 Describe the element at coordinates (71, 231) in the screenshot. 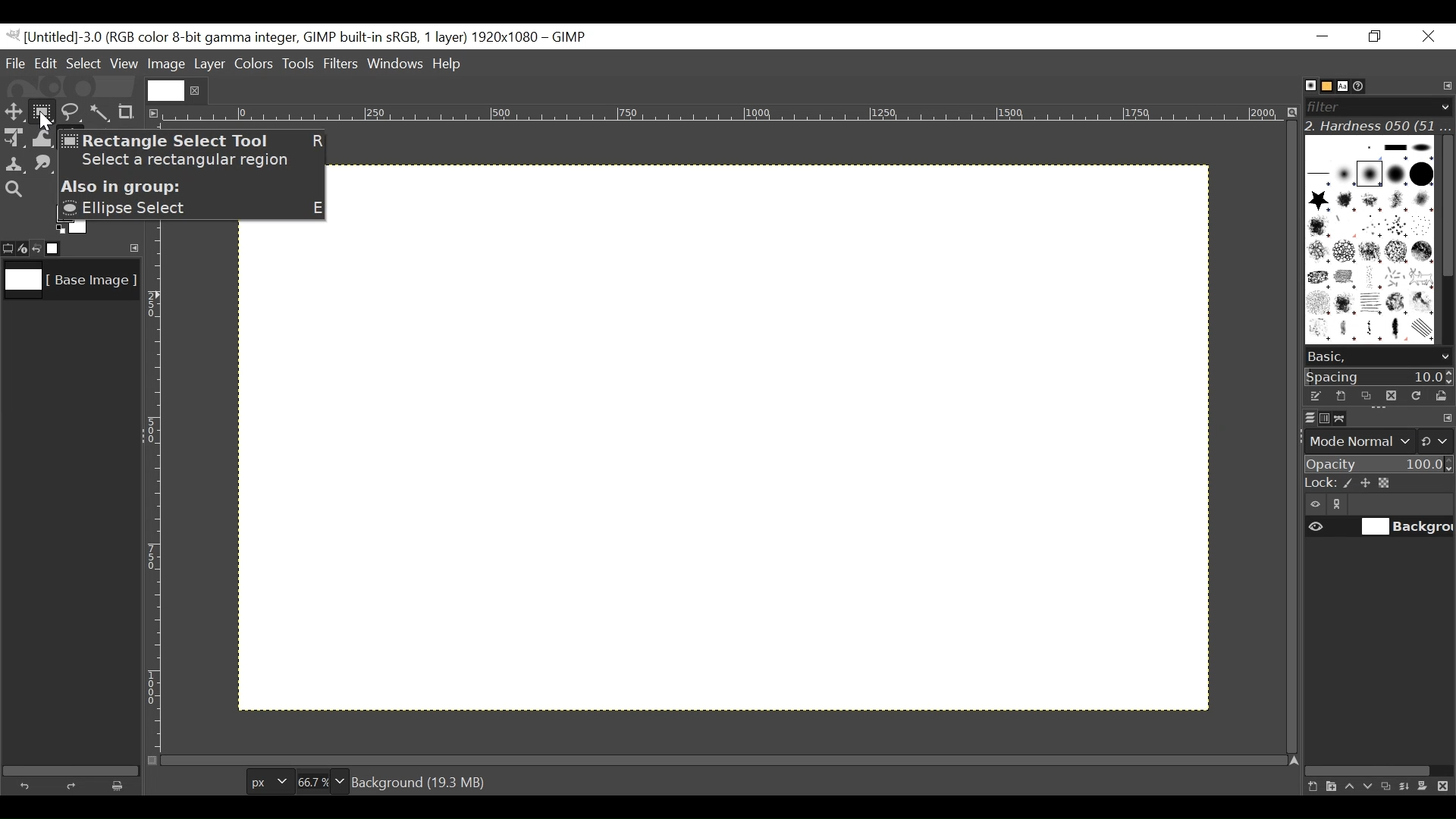

I see `Active background color` at that location.